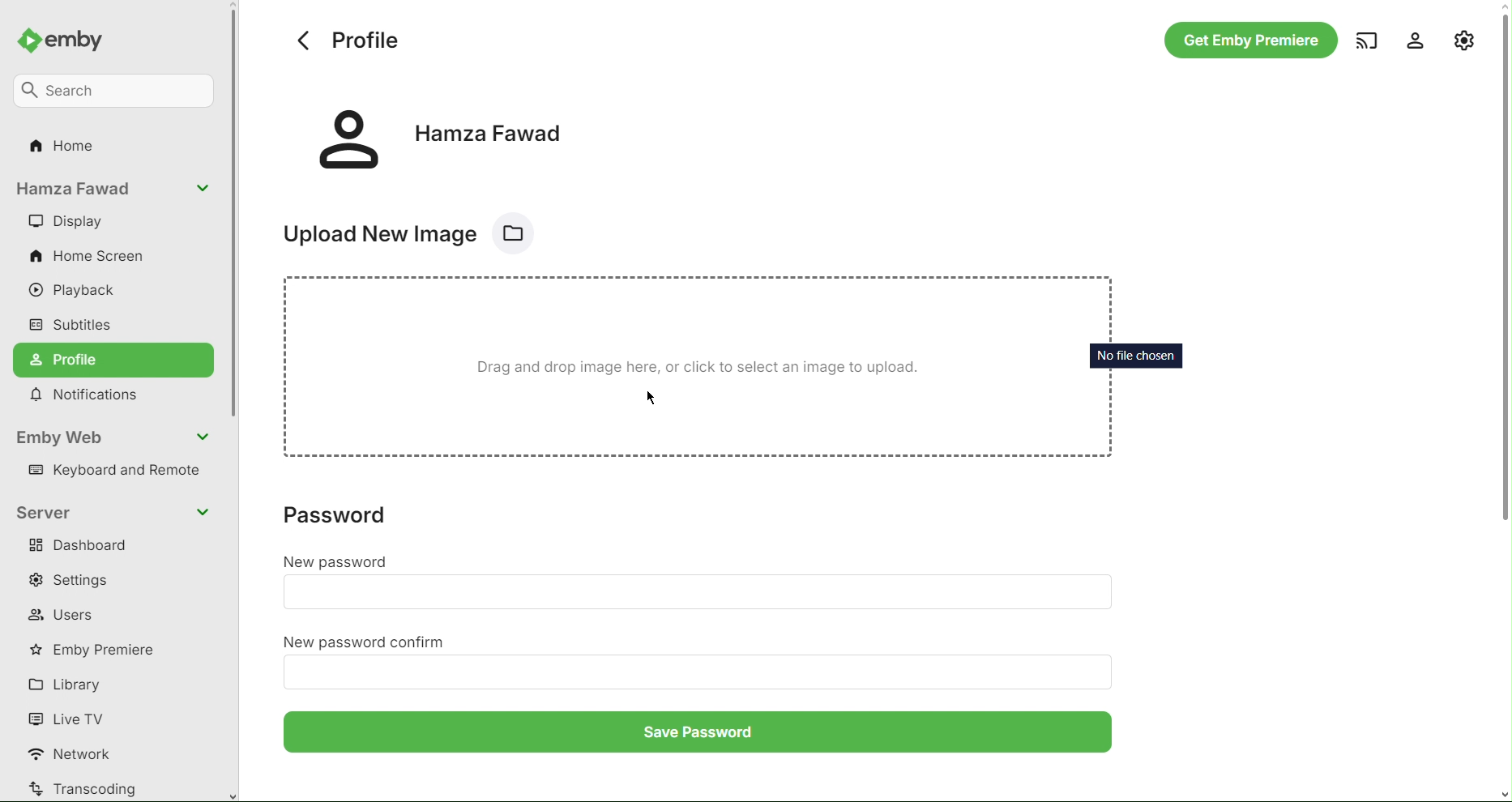 This screenshot has width=1512, height=802. What do you see at coordinates (73, 323) in the screenshot?
I see `Subtitles` at bounding box center [73, 323].